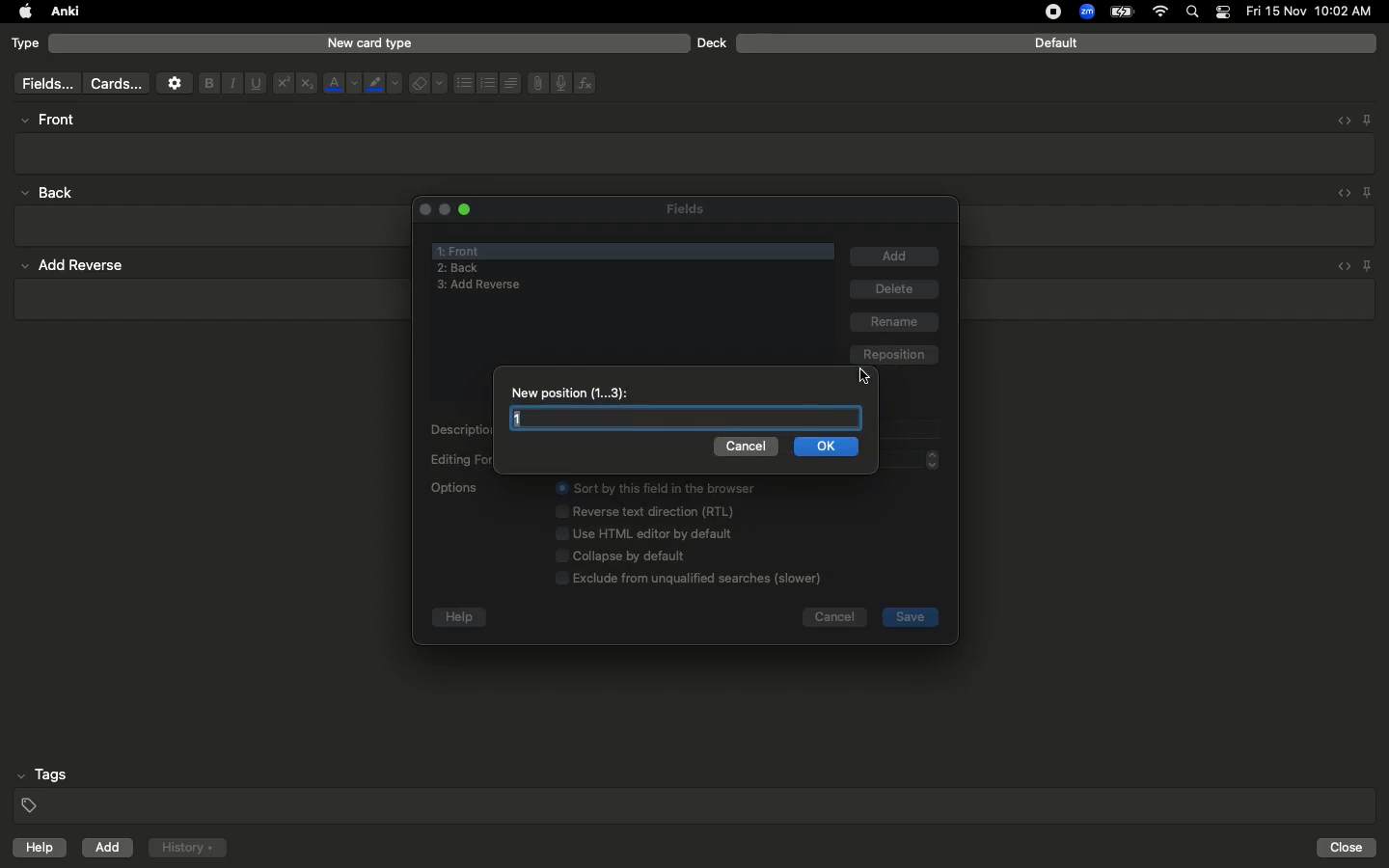 Image resolution: width=1389 pixels, height=868 pixels. What do you see at coordinates (64, 13) in the screenshot?
I see `Anki` at bounding box center [64, 13].